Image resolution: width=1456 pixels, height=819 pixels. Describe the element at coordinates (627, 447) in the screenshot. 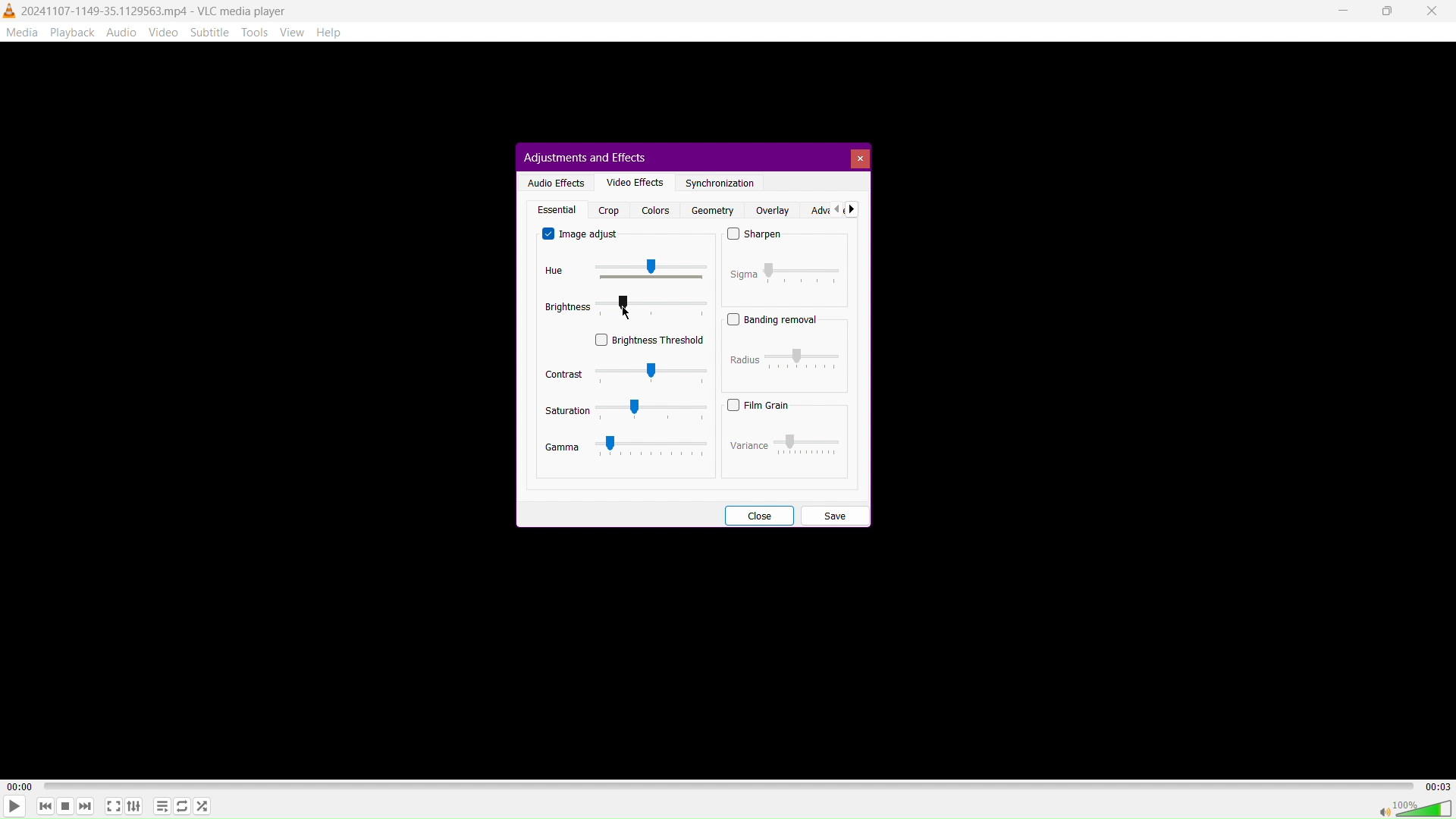

I see `Gamma` at that location.